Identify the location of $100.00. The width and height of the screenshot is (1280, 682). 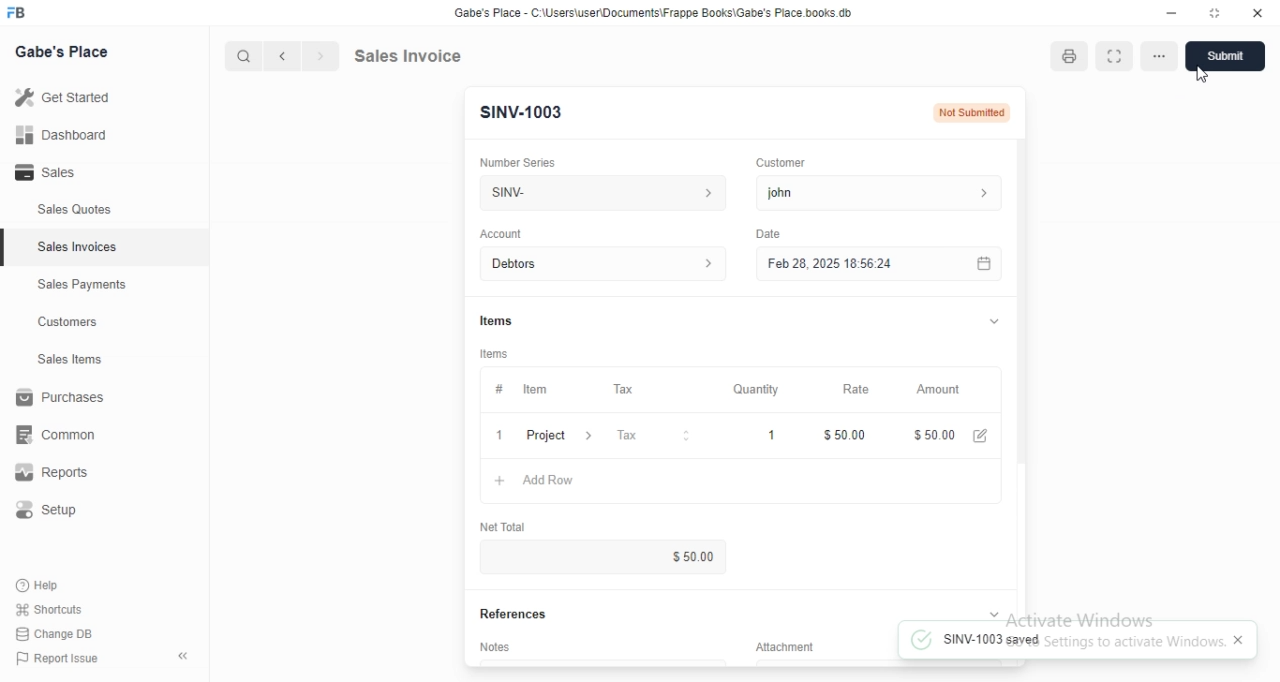
(927, 433).